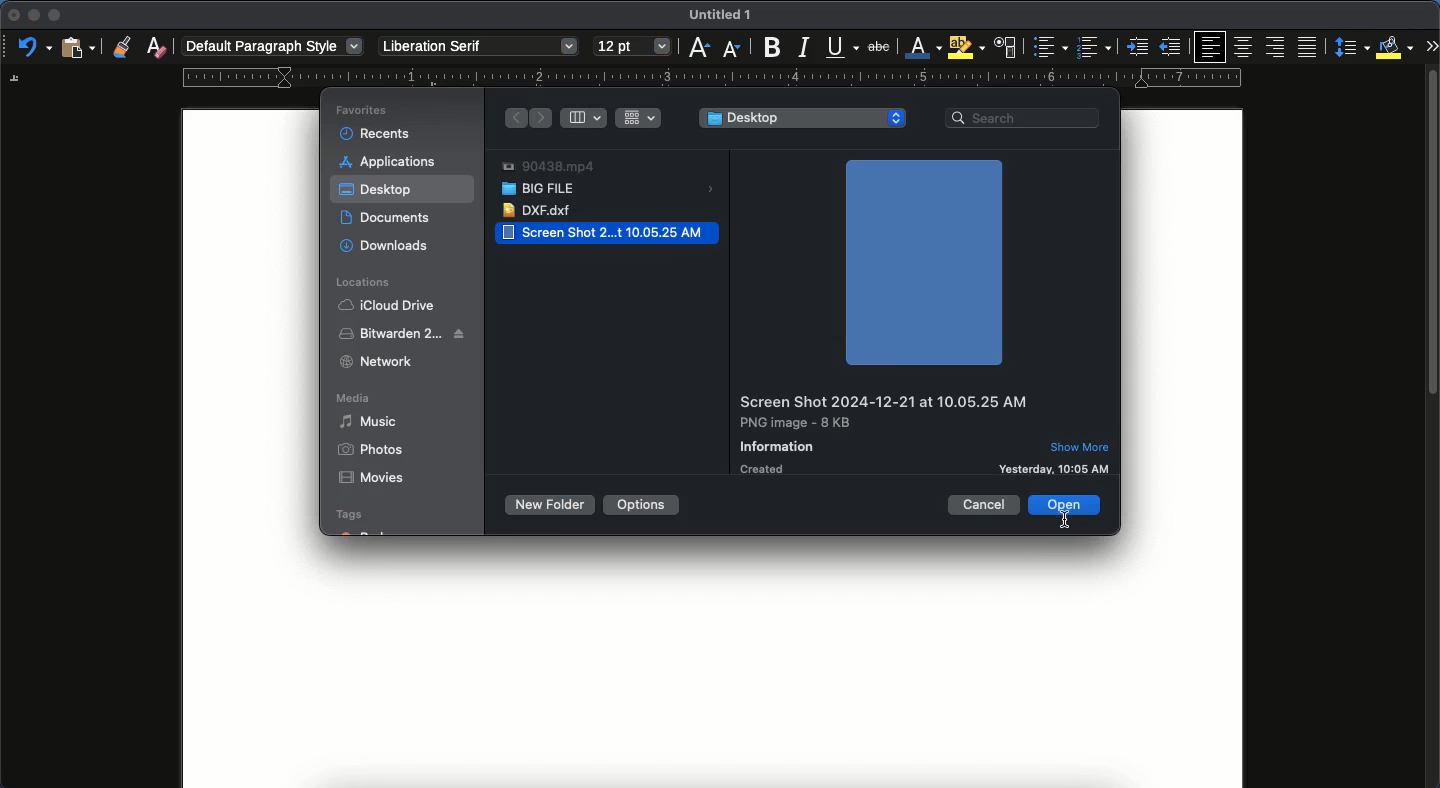  What do you see at coordinates (1244, 44) in the screenshot?
I see `center align` at bounding box center [1244, 44].